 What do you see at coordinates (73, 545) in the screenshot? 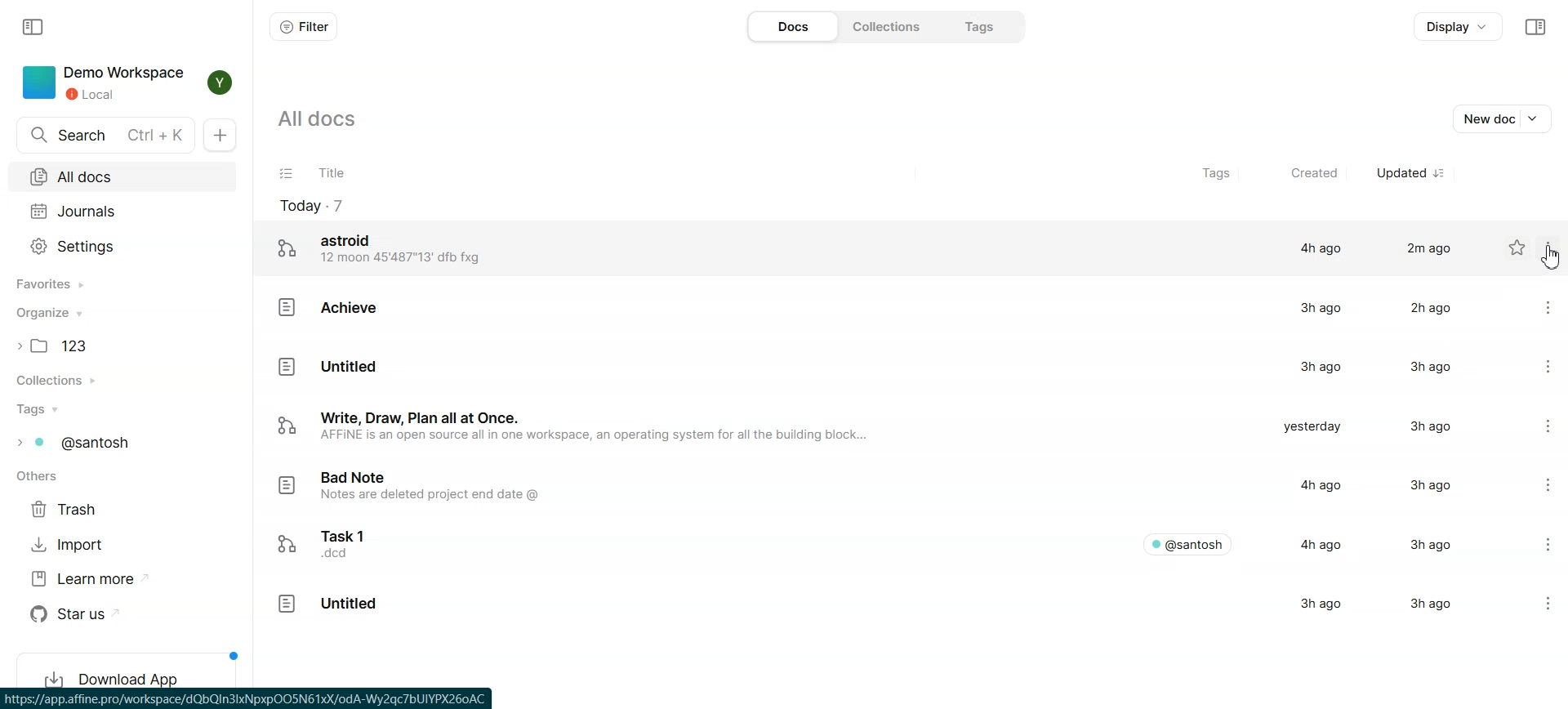
I see `Import` at bounding box center [73, 545].